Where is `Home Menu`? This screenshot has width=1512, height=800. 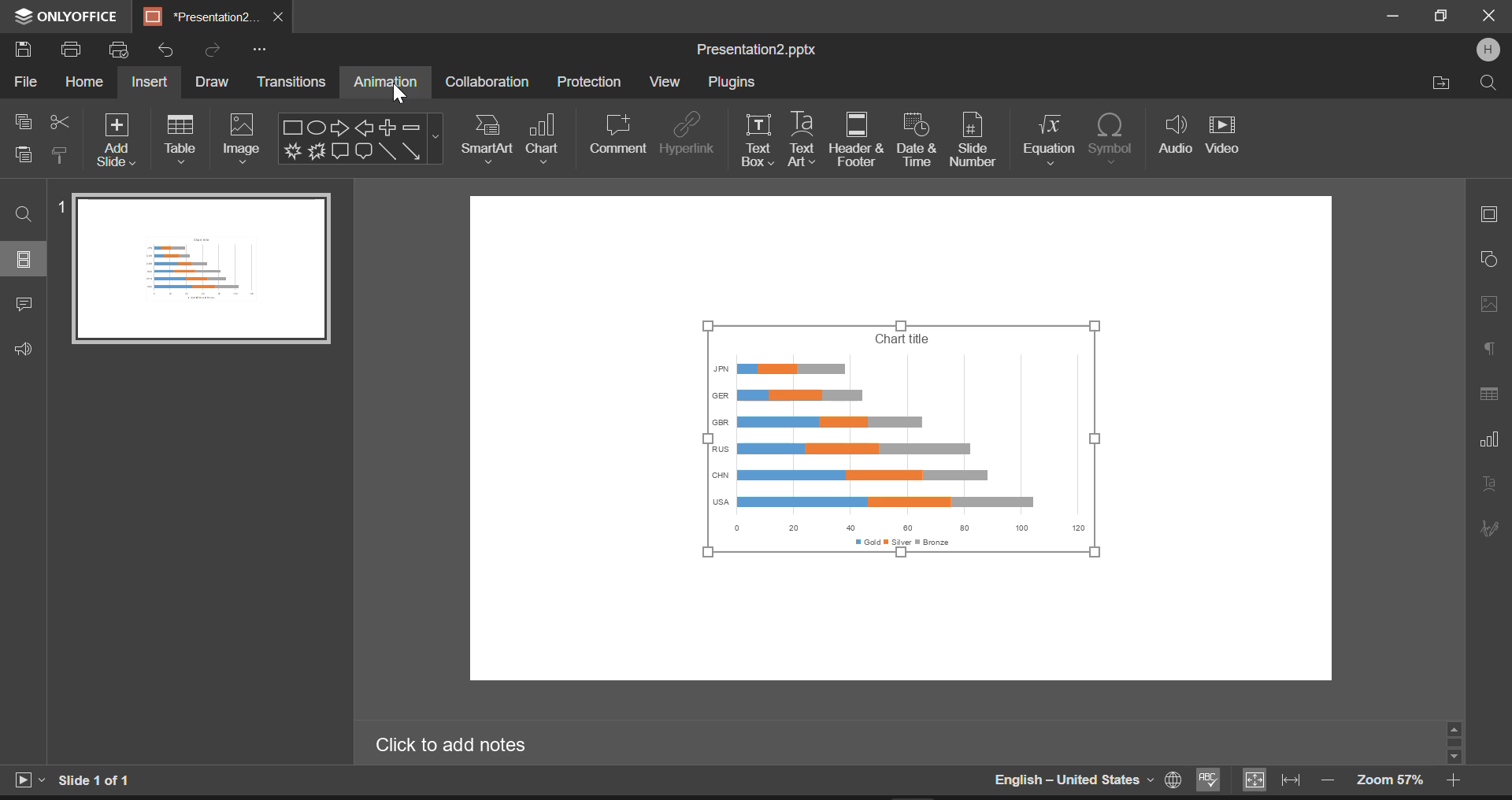 Home Menu is located at coordinates (83, 83).